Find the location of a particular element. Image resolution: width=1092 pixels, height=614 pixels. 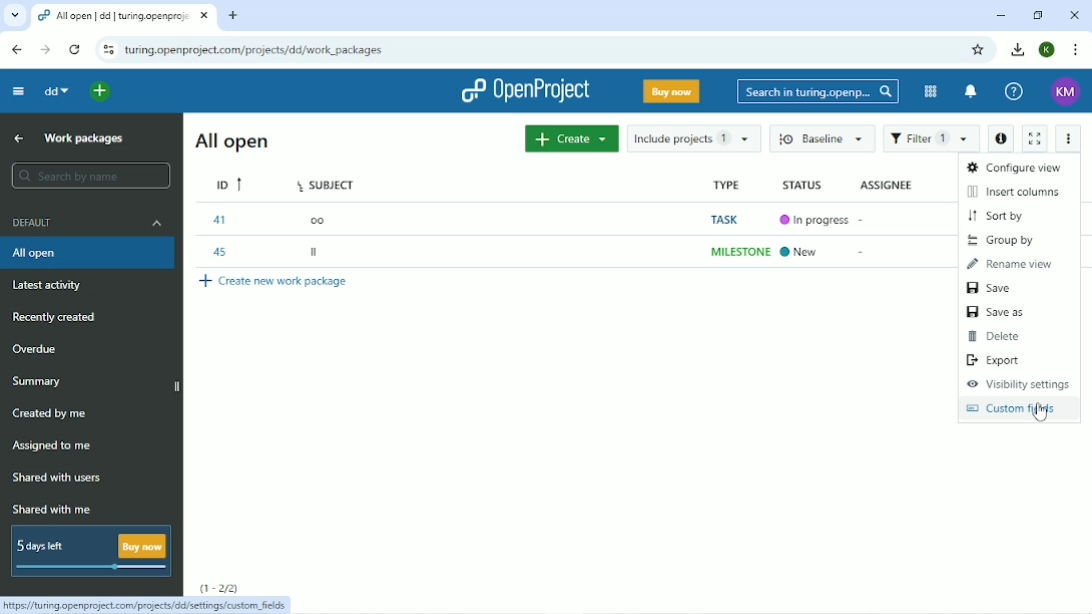

Overdue is located at coordinates (36, 348).